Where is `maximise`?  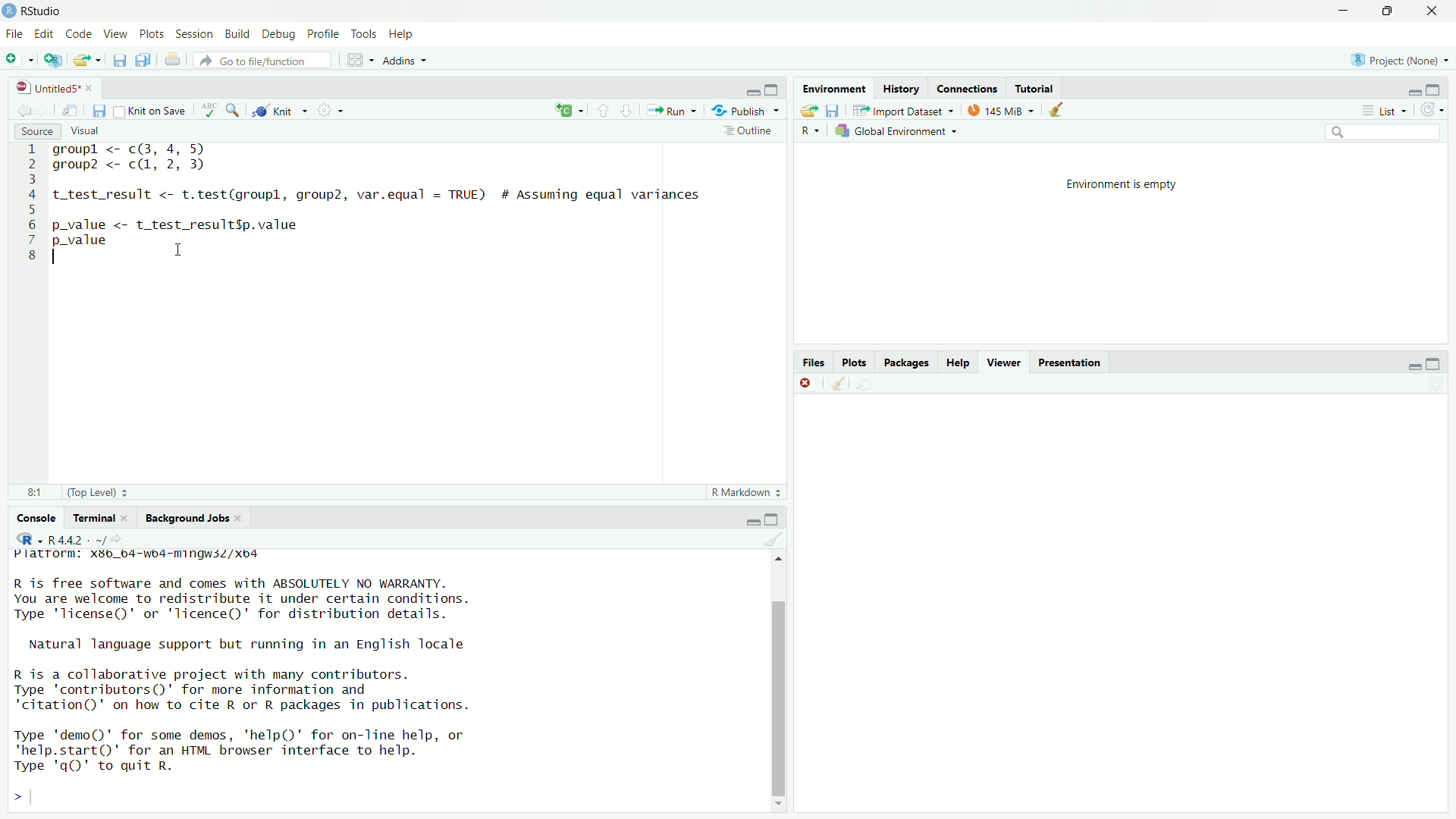
maximise is located at coordinates (773, 89).